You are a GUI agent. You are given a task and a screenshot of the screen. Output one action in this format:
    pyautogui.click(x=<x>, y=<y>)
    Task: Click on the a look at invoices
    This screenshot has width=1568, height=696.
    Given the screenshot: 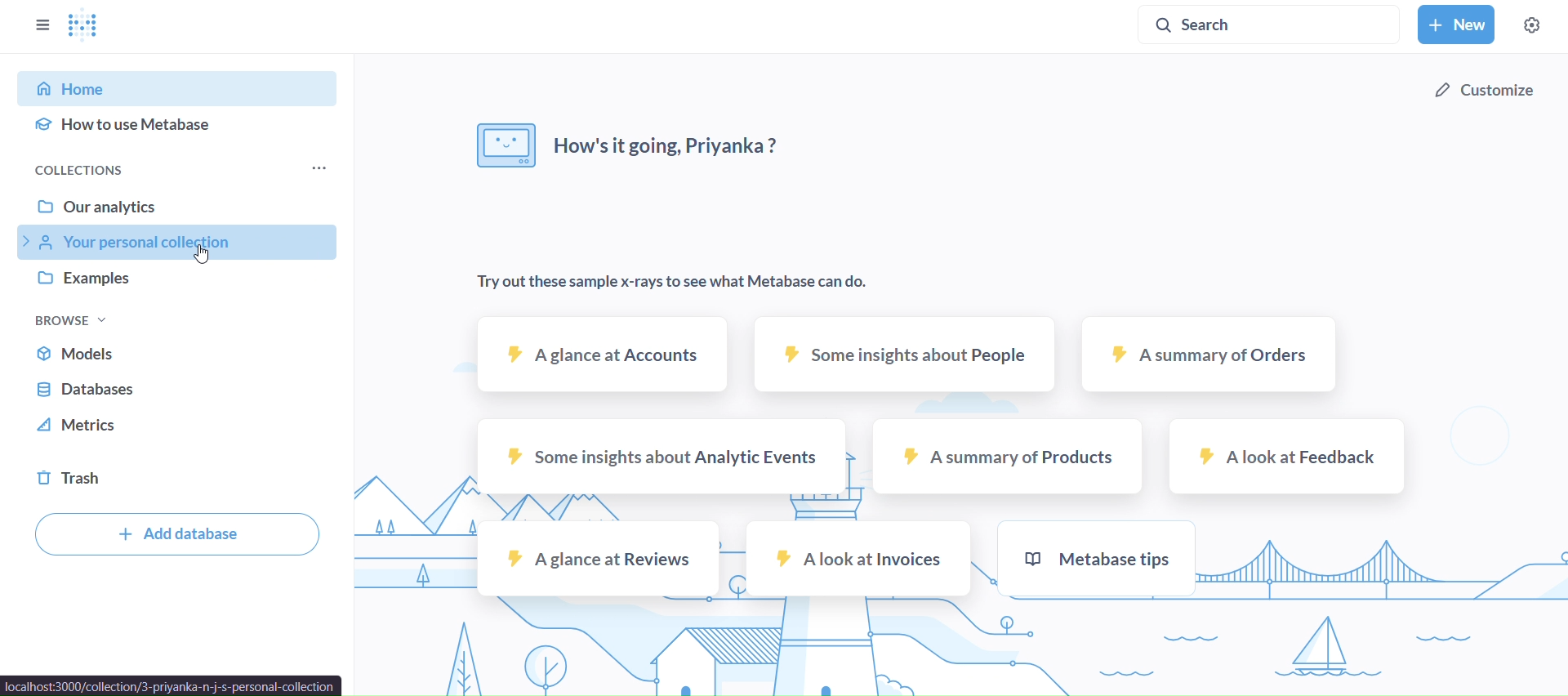 What is the action you would take?
    pyautogui.click(x=859, y=559)
    